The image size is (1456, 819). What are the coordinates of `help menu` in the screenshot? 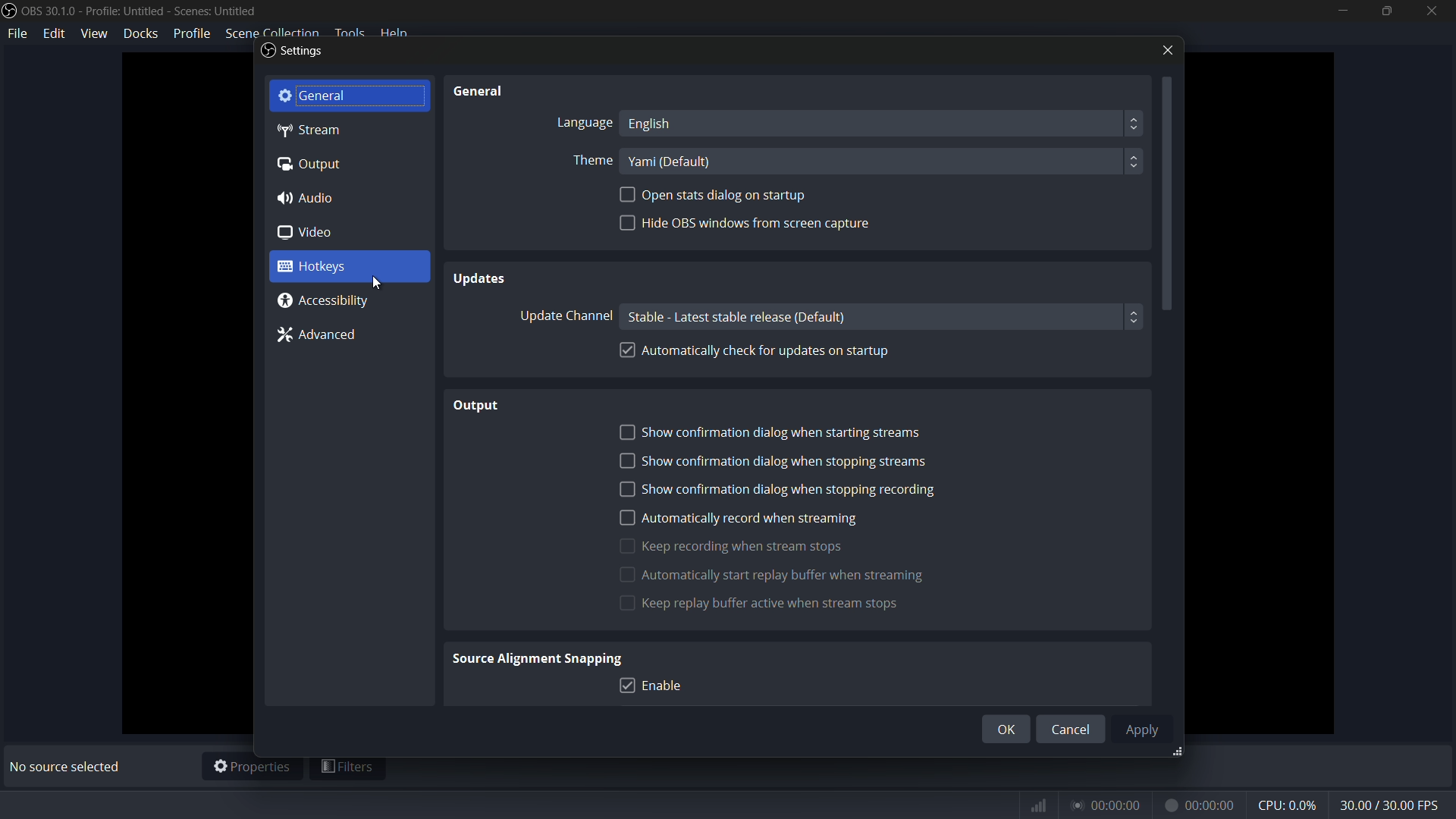 It's located at (396, 33).